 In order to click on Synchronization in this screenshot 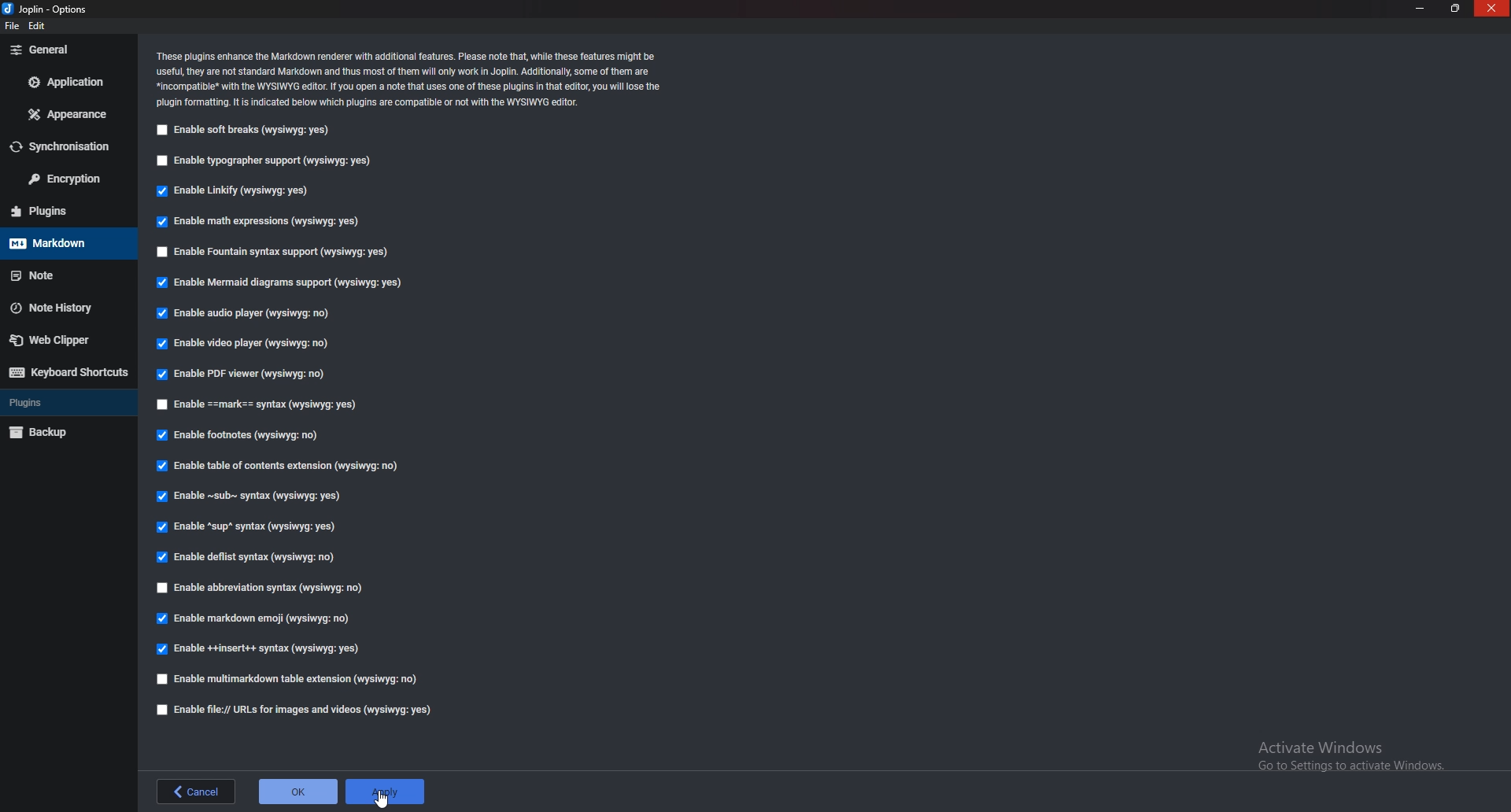, I will do `click(65, 148)`.